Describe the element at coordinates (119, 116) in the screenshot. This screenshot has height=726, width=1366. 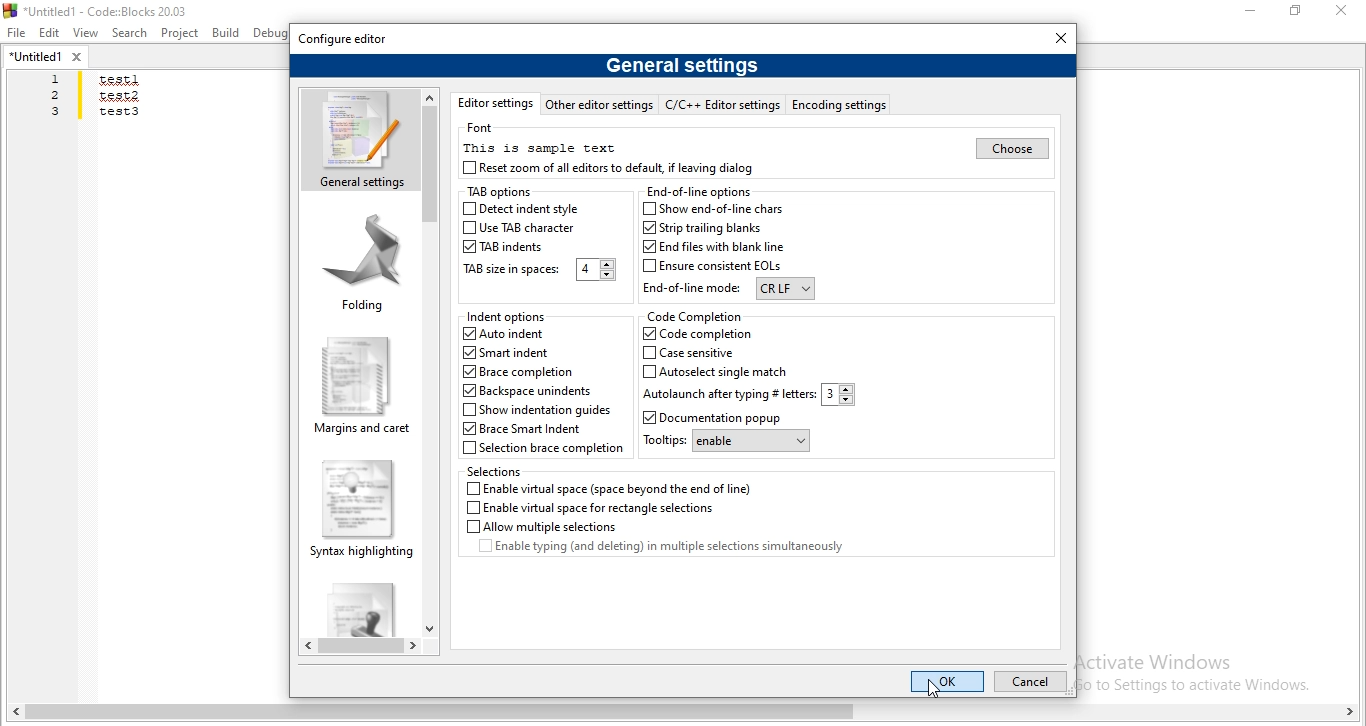
I see `test 3` at that location.